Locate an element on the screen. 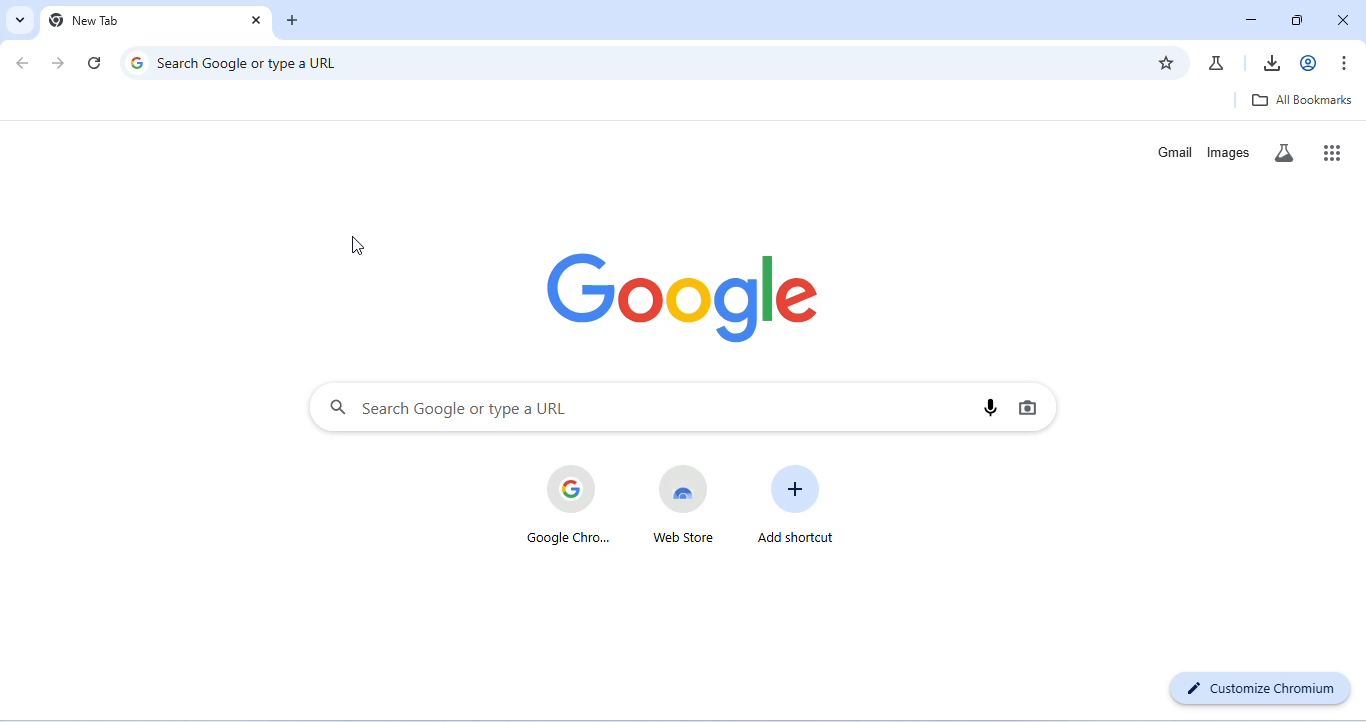 The image size is (1366, 722). account is located at coordinates (1309, 61).